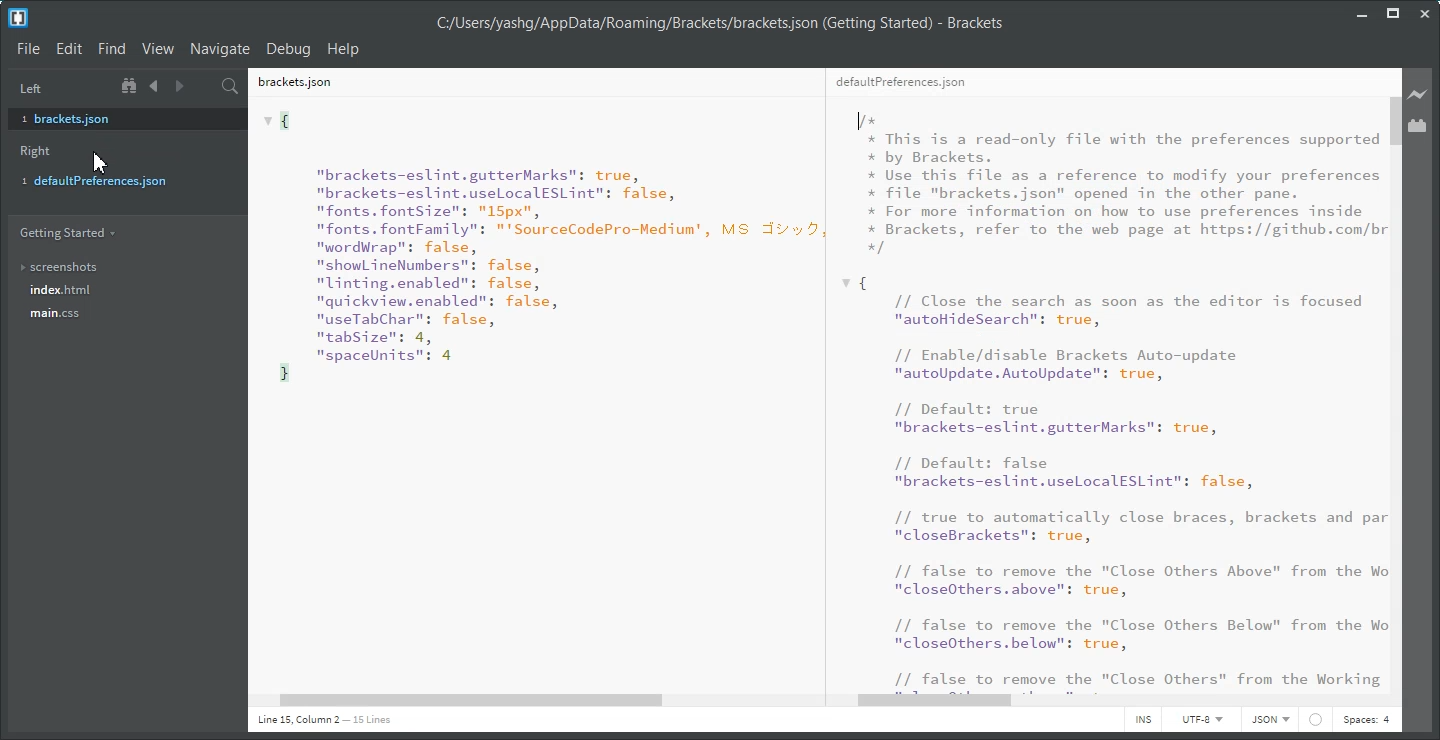 This screenshot has height=740, width=1440. Describe the element at coordinates (324, 720) in the screenshot. I see `Text` at that location.